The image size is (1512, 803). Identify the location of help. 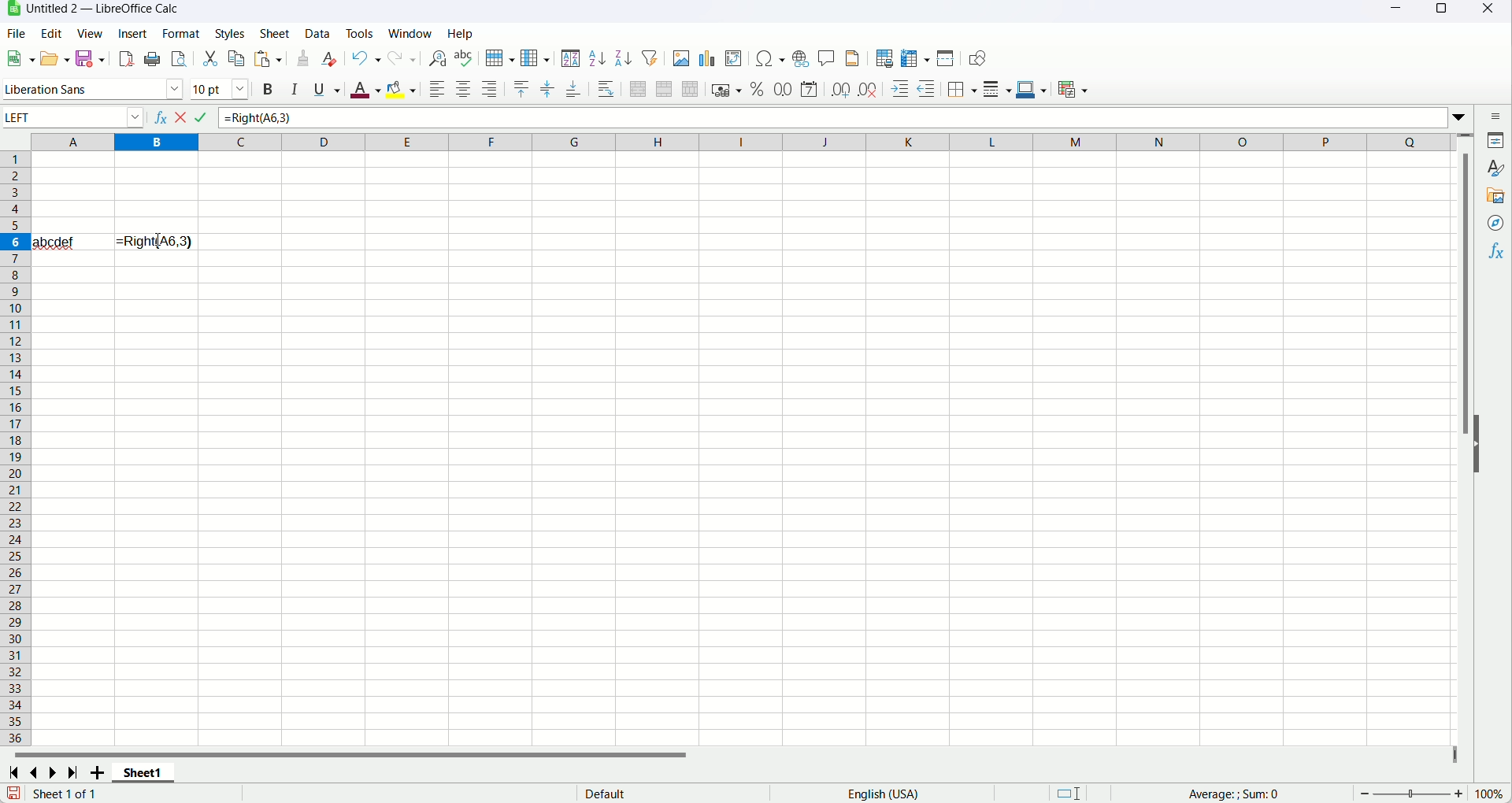
(460, 33).